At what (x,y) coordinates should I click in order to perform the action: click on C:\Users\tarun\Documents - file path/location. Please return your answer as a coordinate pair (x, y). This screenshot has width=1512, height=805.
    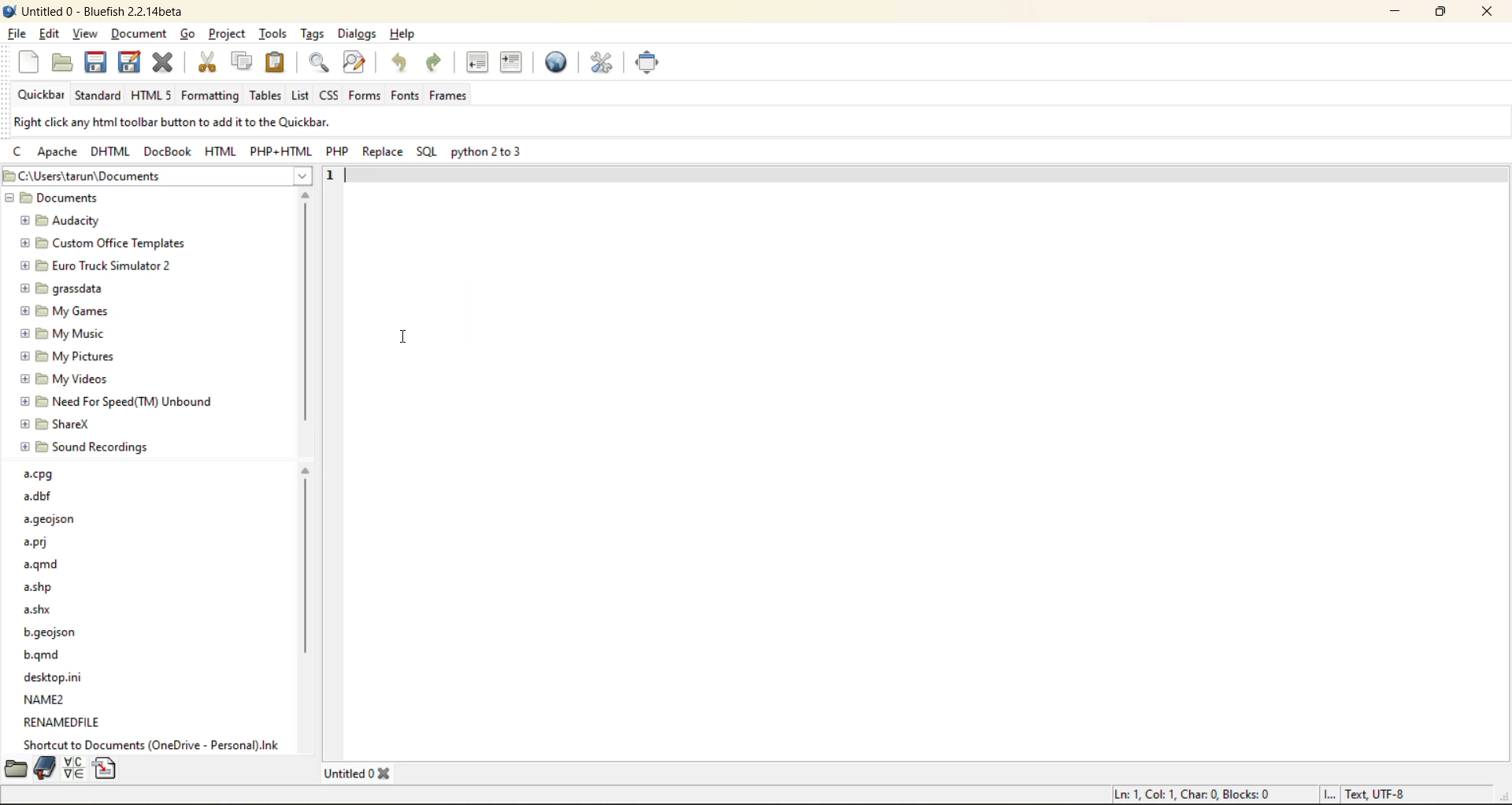
    Looking at the image, I should click on (99, 176).